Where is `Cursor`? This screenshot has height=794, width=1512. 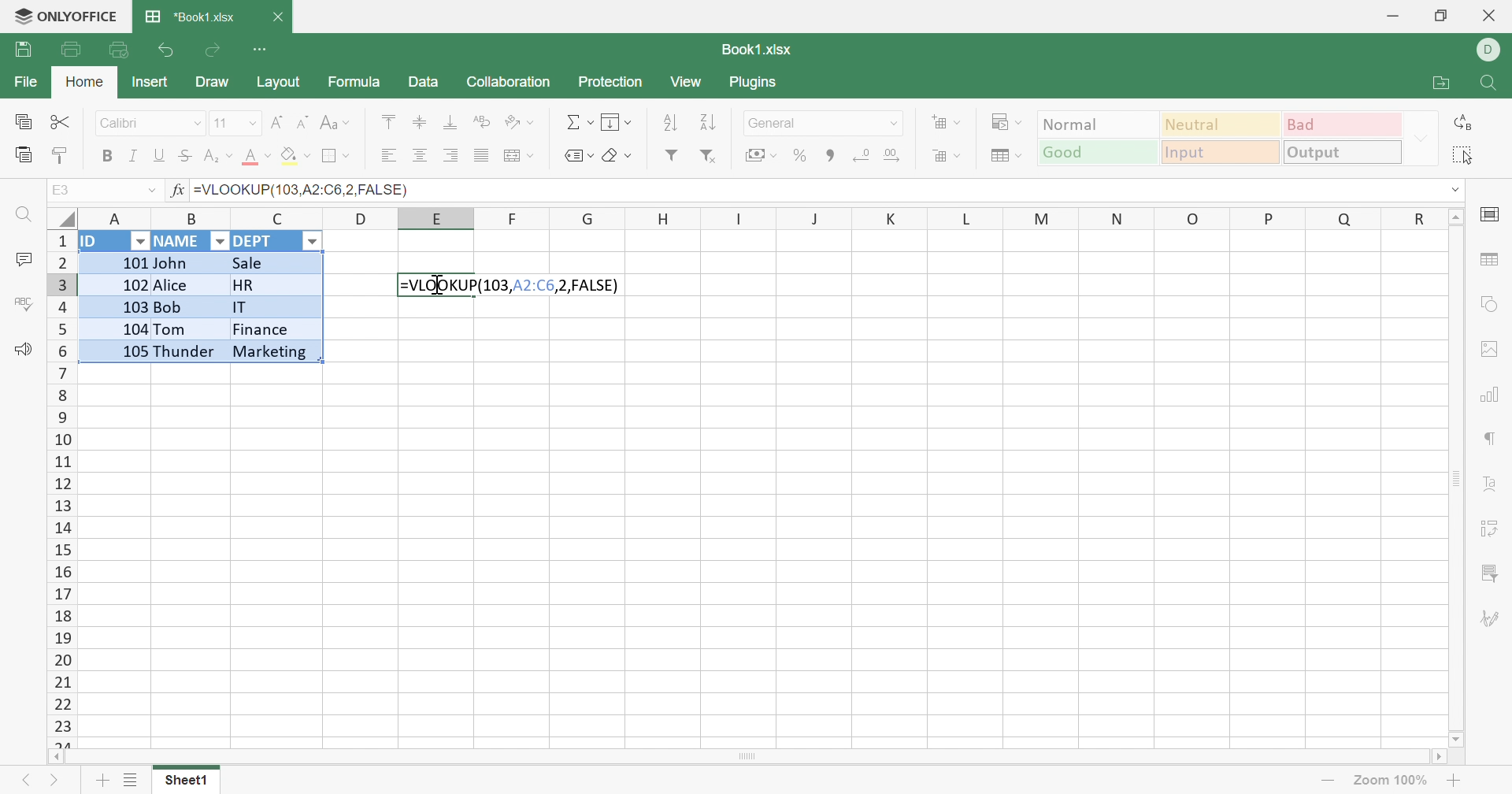
Cursor is located at coordinates (437, 284).